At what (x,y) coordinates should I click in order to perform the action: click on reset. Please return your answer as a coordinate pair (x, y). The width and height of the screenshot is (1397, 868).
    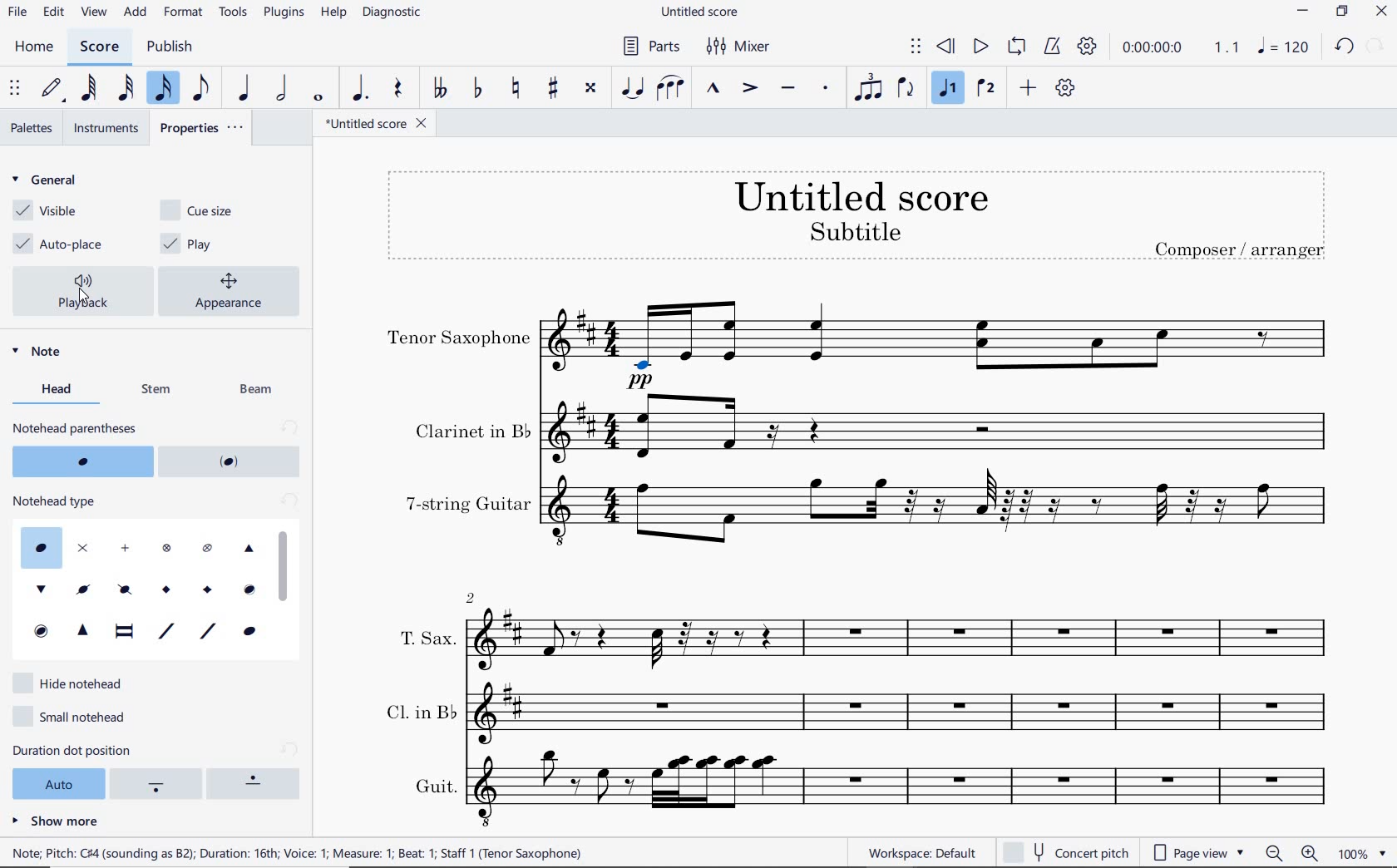
    Looking at the image, I should click on (289, 427).